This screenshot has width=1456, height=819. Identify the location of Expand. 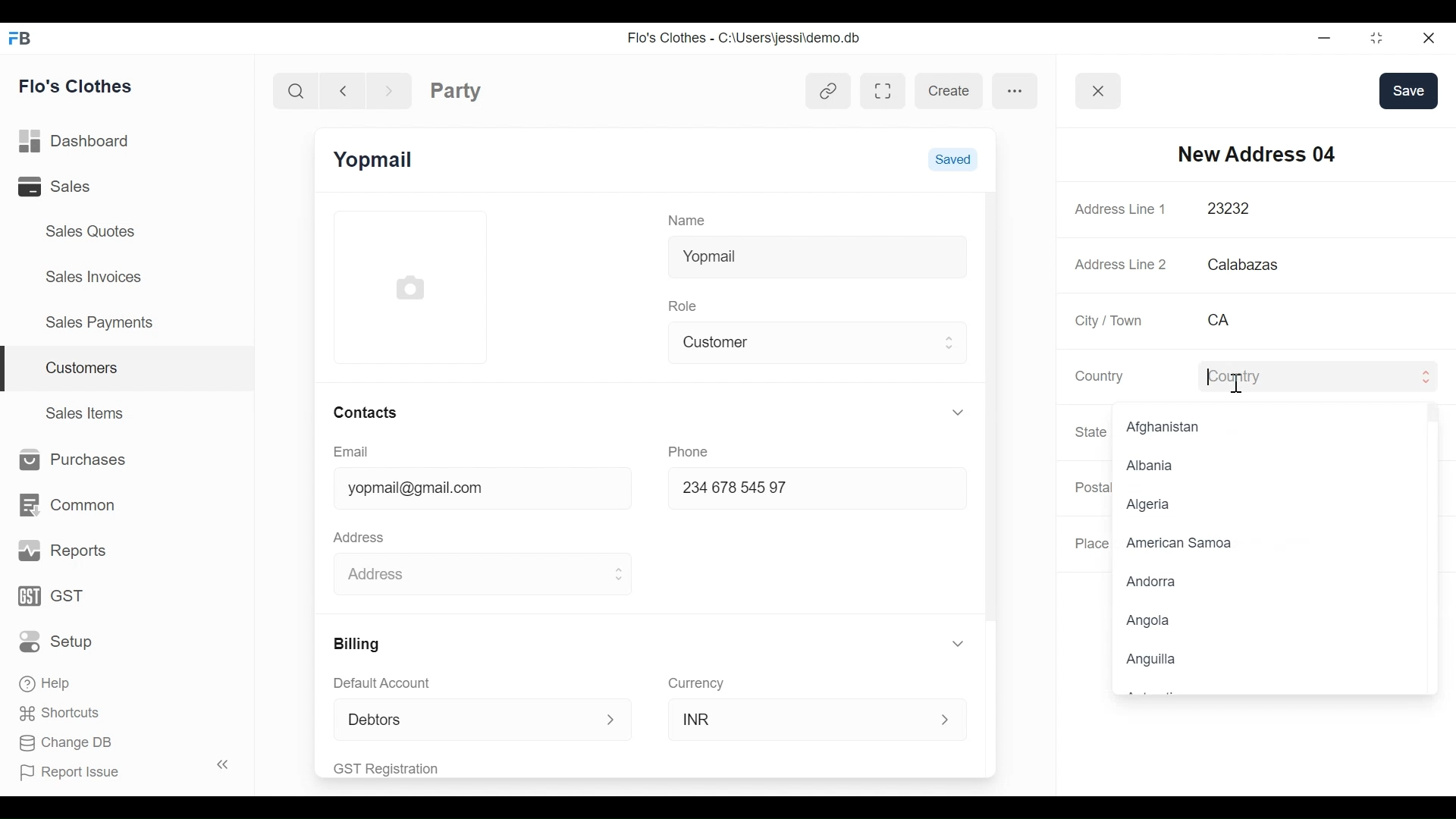
(947, 720).